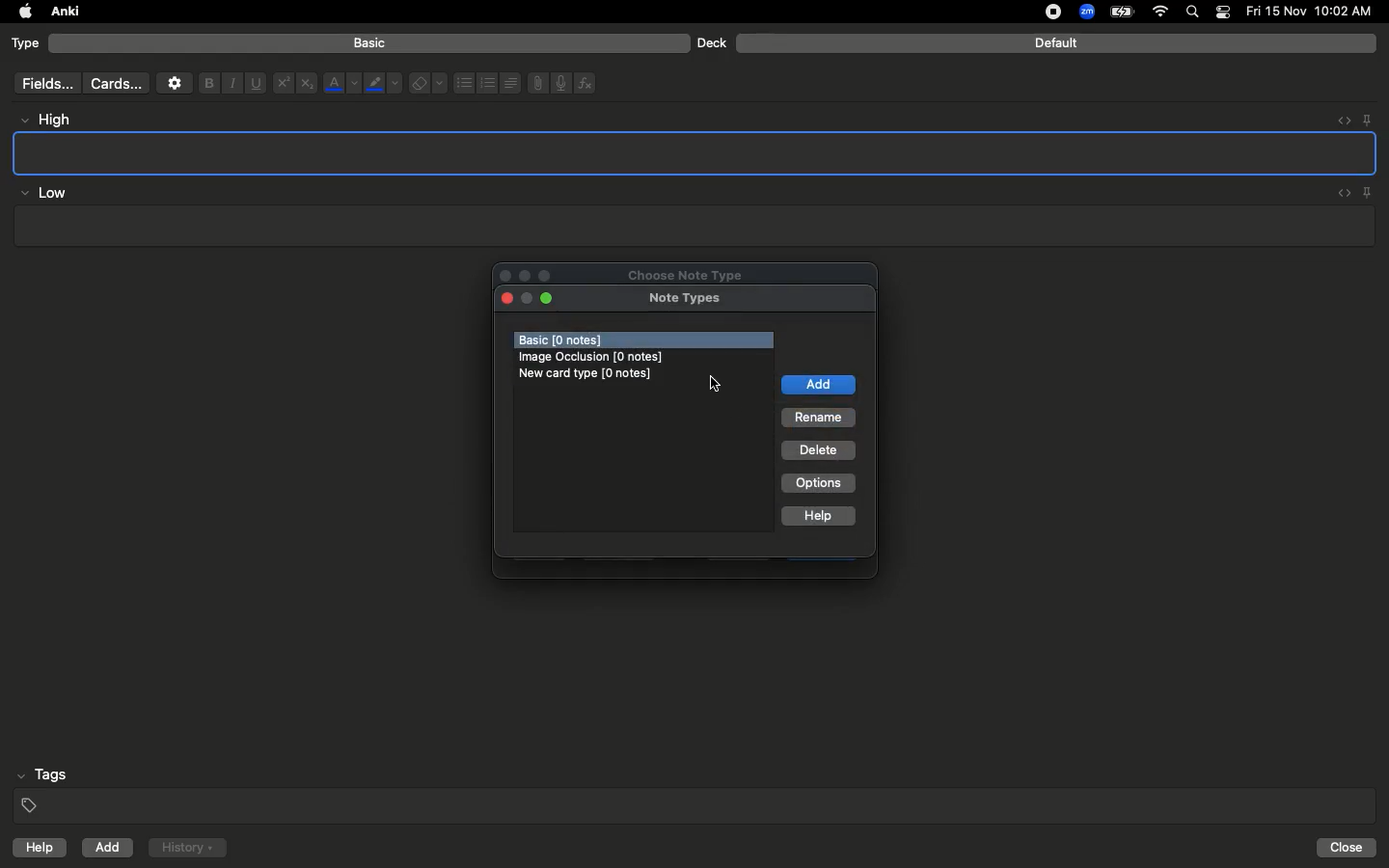  What do you see at coordinates (427, 84) in the screenshot?
I see `Eraser` at bounding box center [427, 84].